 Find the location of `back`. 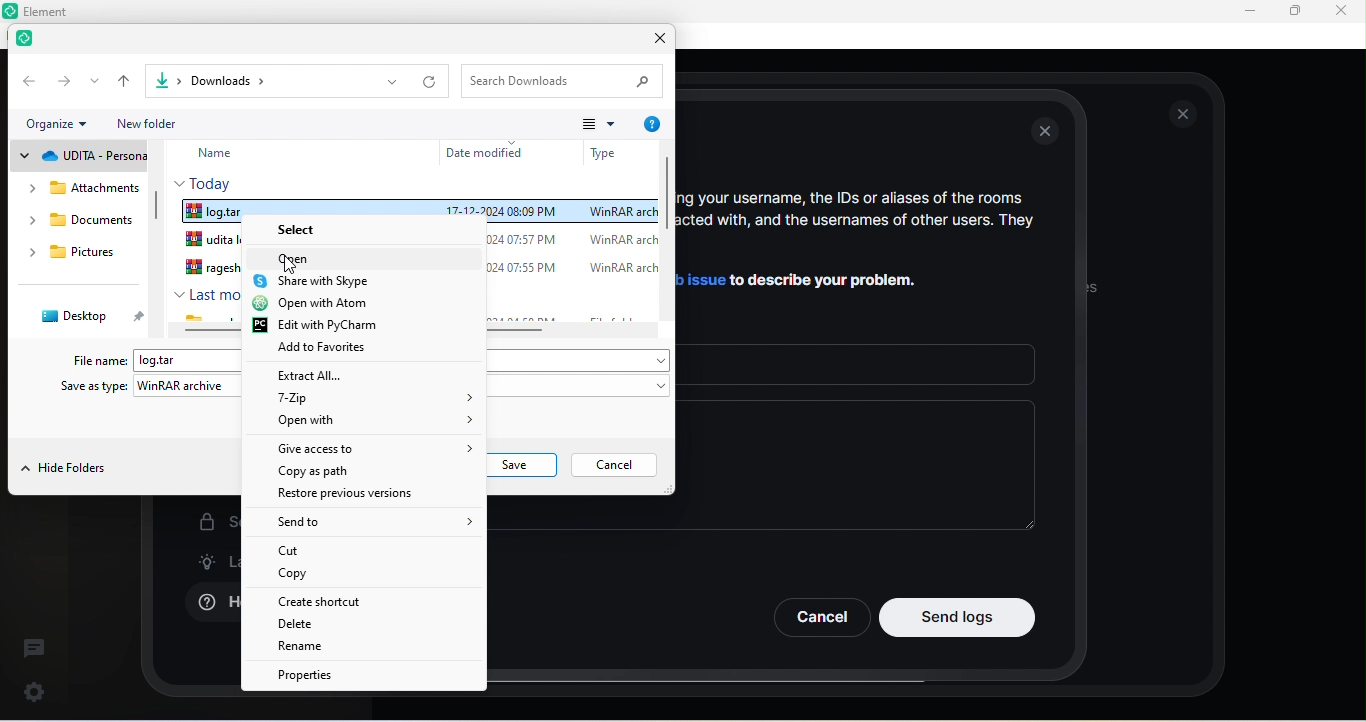

back is located at coordinates (27, 80).